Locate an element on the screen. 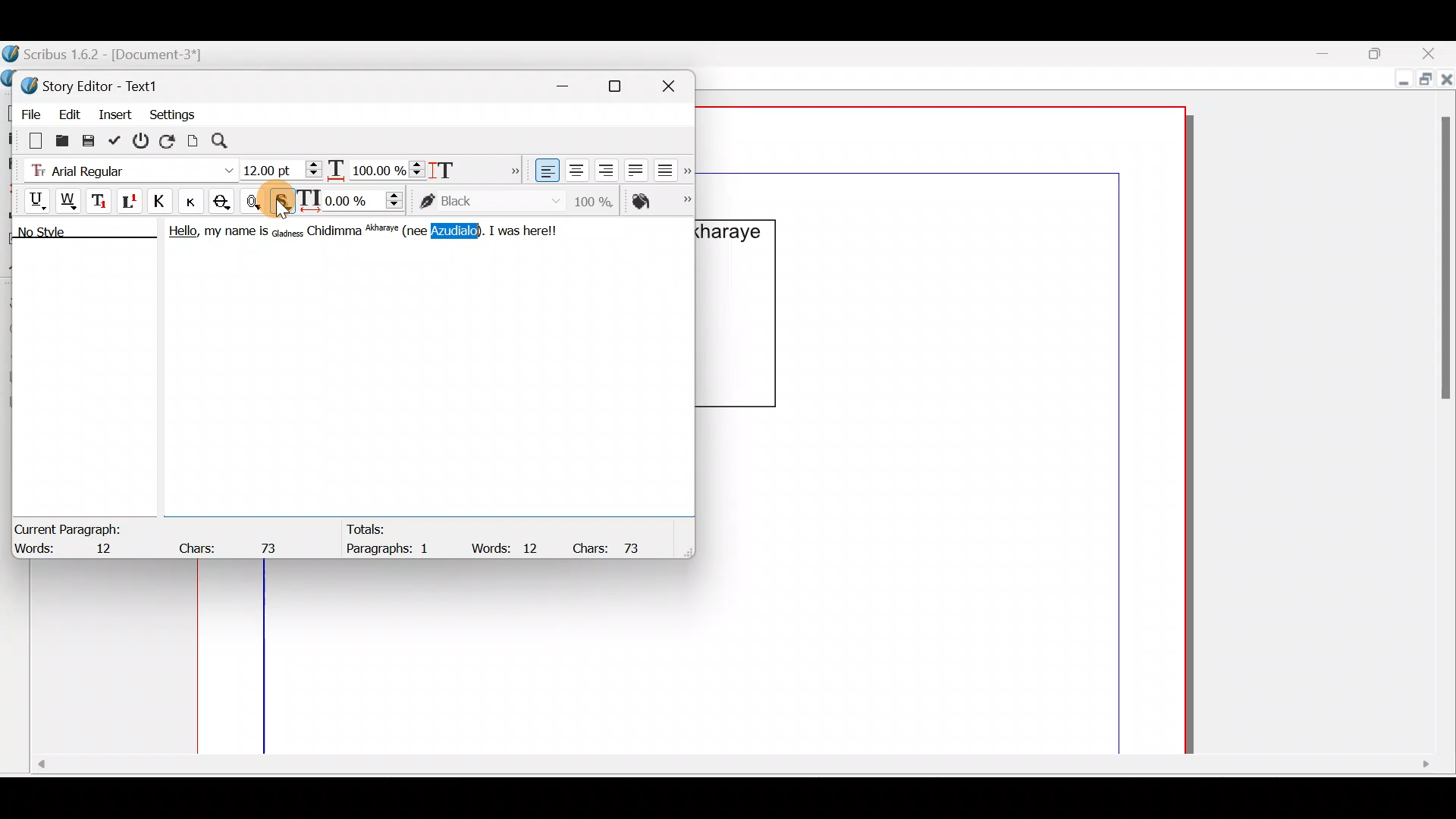  Scaling height of characters is located at coordinates (464, 165).